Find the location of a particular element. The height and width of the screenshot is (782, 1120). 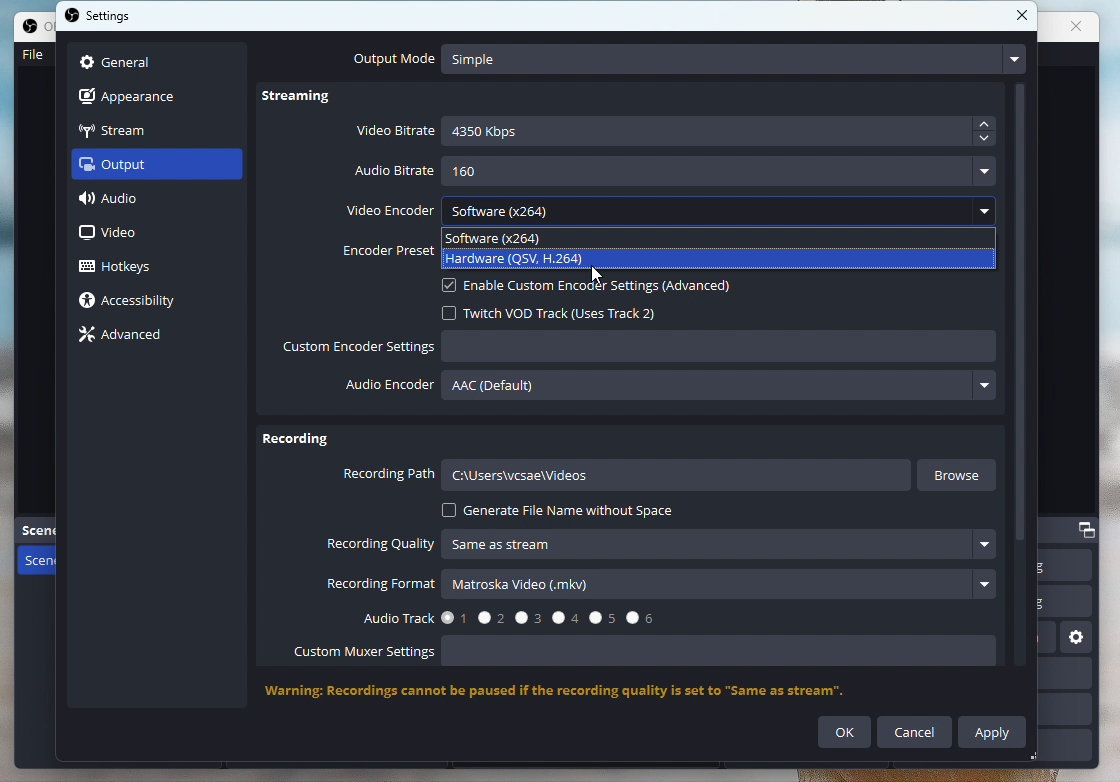

Audio Encoder is located at coordinates (673, 390).